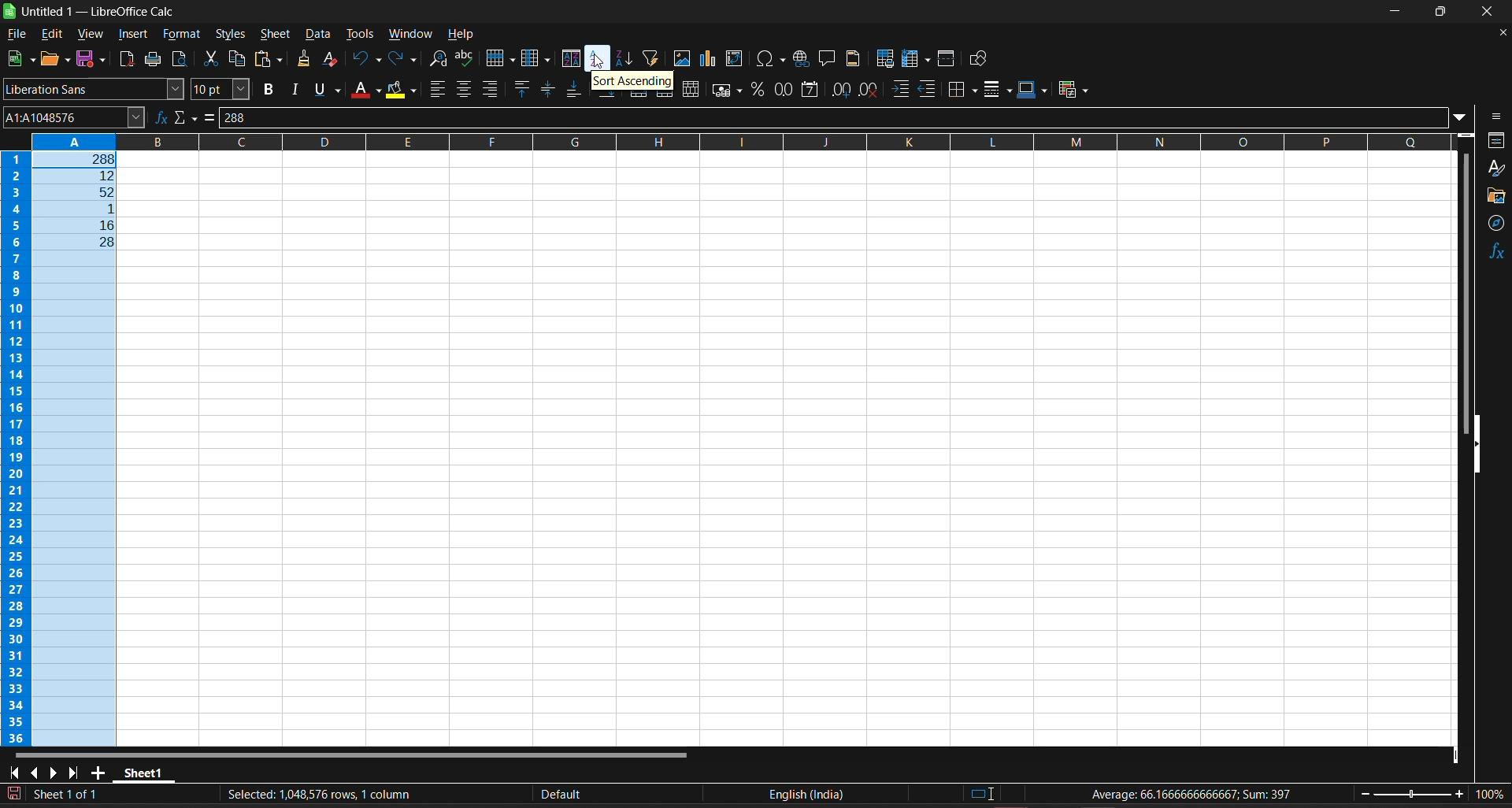 The image size is (1512, 808). Describe the element at coordinates (52, 773) in the screenshot. I see `scroll to next sheet` at that location.